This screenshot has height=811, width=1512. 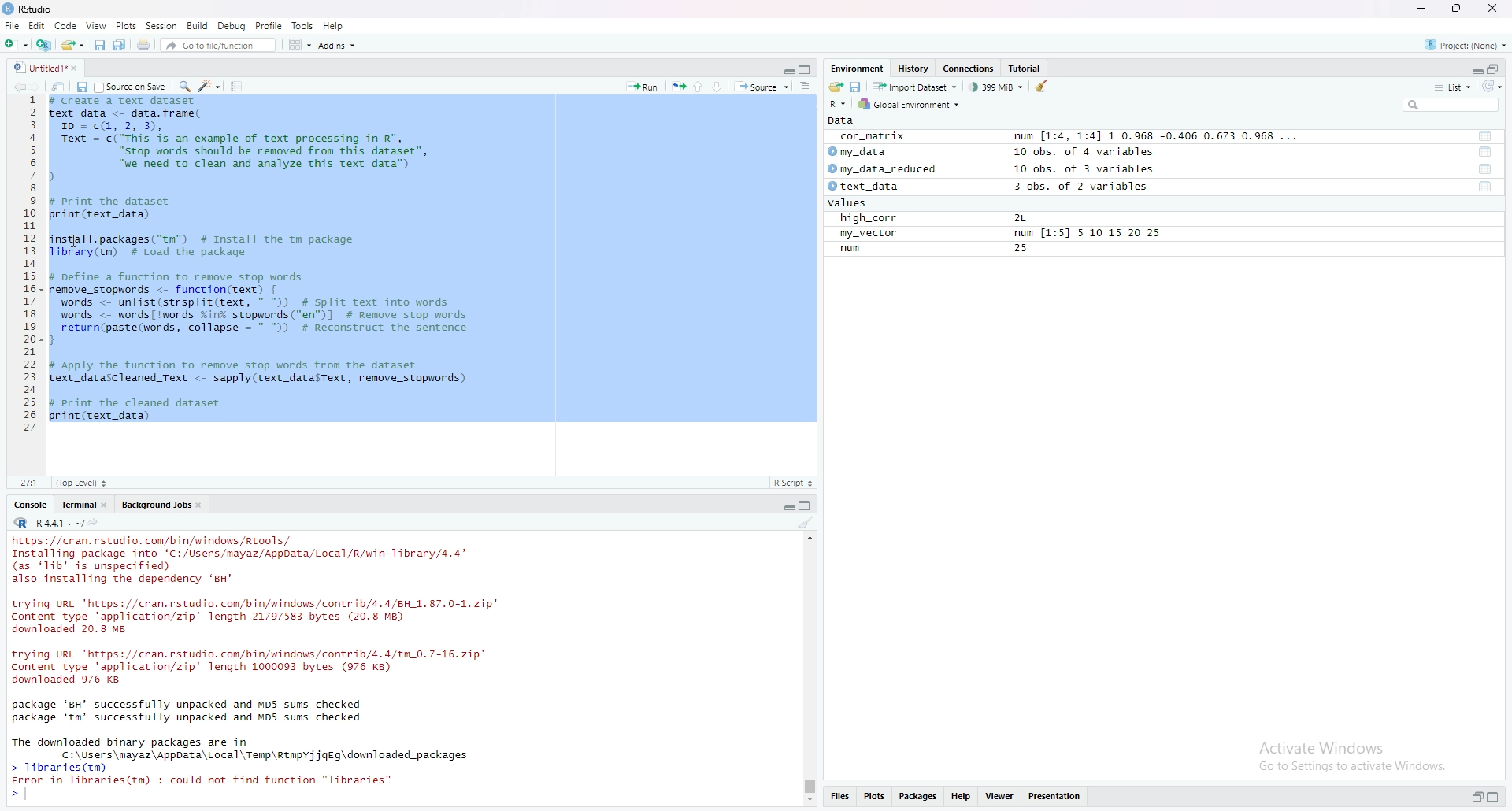 What do you see at coordinates (1161, 135) in the screenshot?
I see `num [1:4, 1:4] 1 0.968 -0.406 0.673 0.968 ...` at bounding box center [1161, 135].